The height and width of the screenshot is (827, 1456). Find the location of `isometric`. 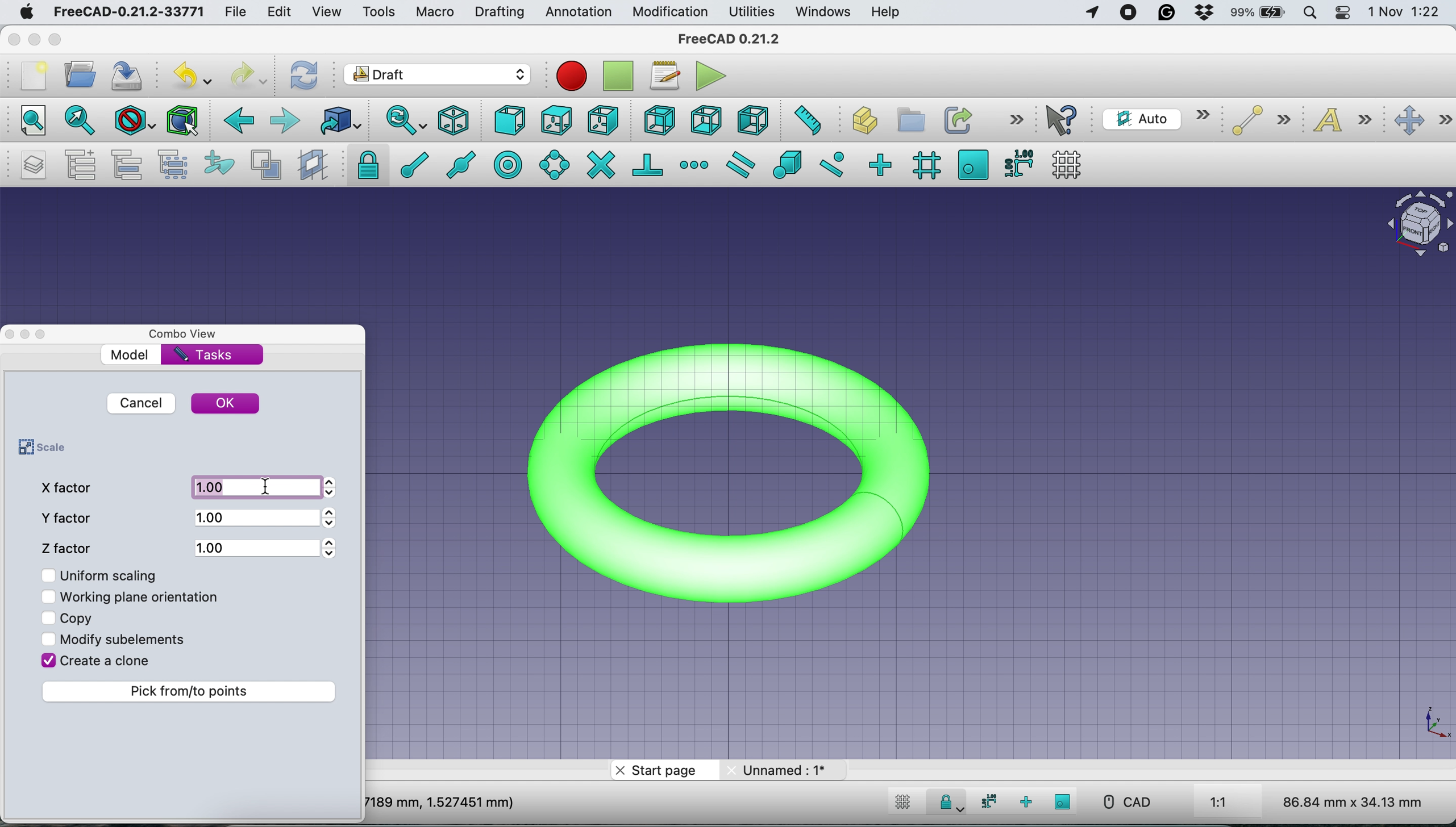

isometric is located at coordinates (455, 120).